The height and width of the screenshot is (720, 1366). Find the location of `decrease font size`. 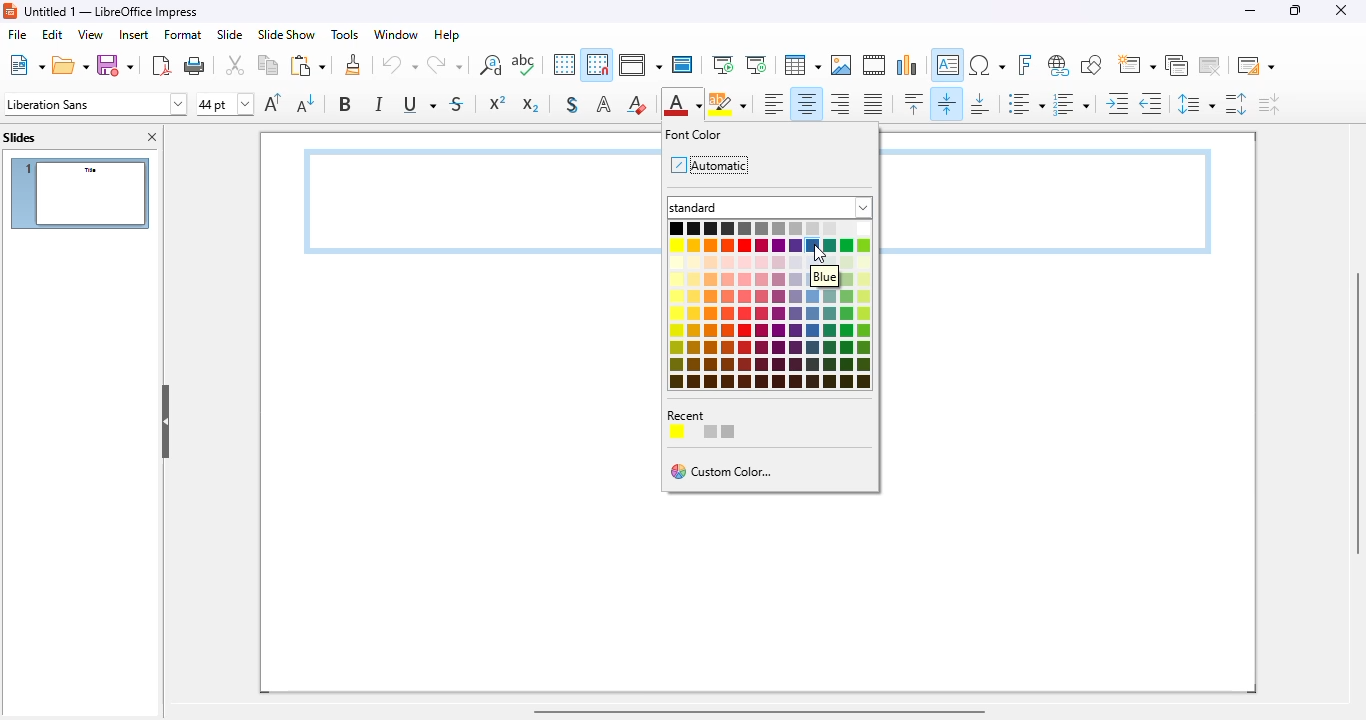

decrease font size is located at coordinates (306, 103).